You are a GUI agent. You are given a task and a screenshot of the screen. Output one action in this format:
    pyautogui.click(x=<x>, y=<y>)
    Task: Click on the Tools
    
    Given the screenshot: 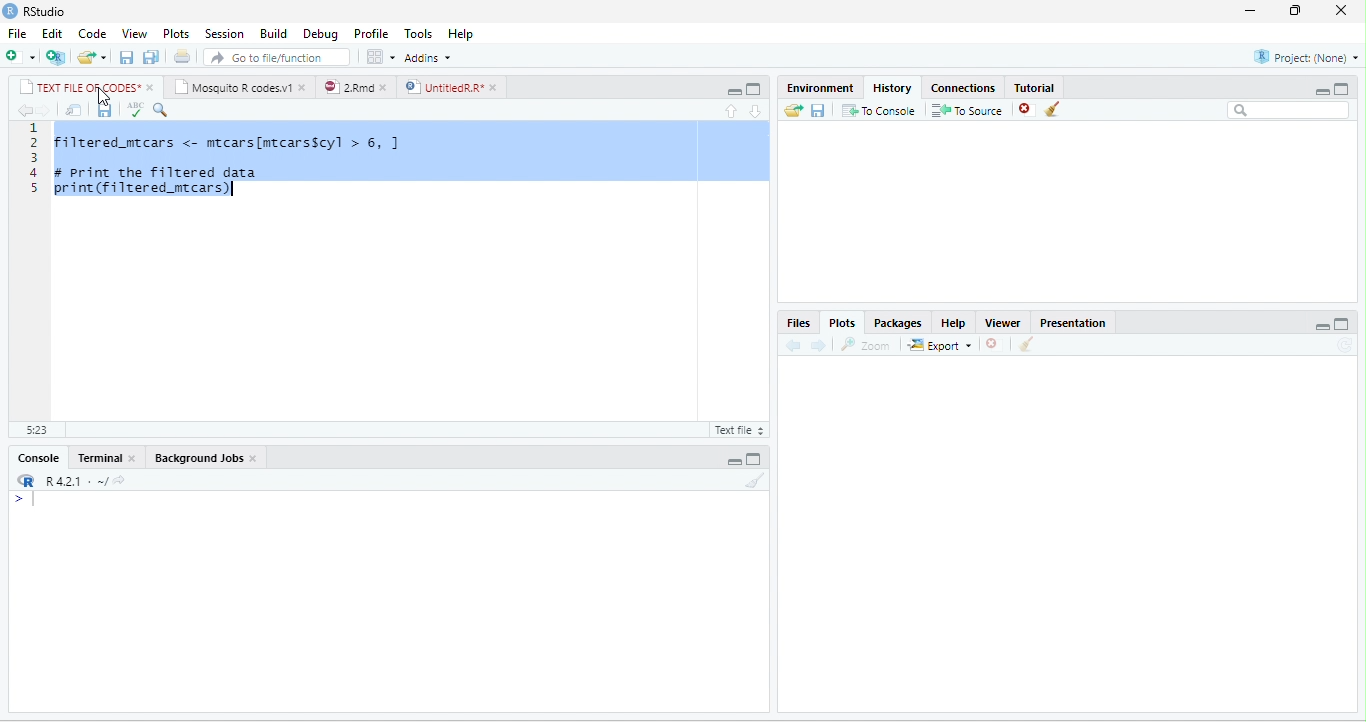 What is the action you would take?
    pyautogui.click(x=418, y=34)
    